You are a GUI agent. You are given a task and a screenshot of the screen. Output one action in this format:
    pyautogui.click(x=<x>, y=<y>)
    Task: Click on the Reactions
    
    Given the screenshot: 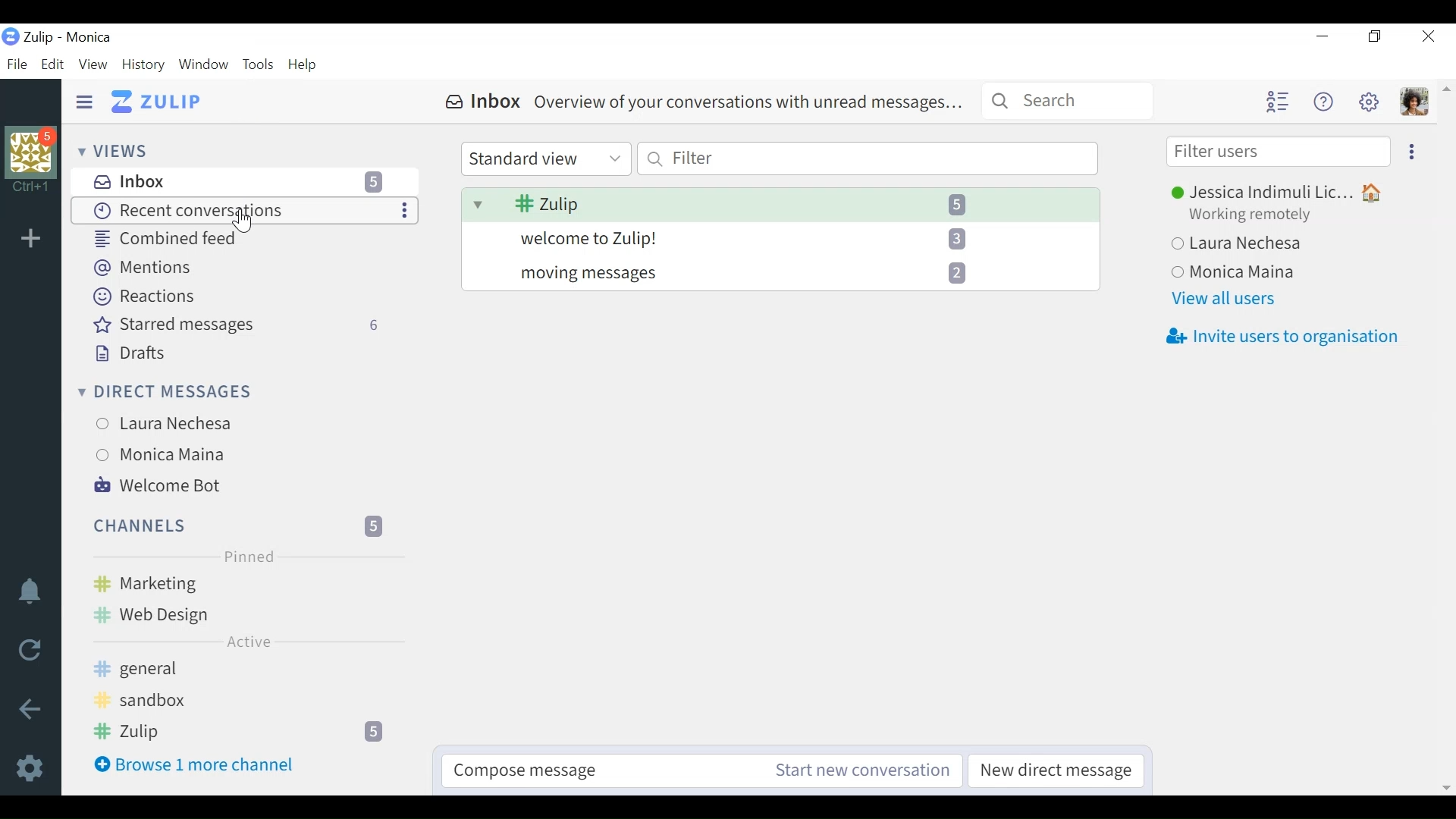 What is the action you would take?
    pyautogui.click(x=152, y=297)
    